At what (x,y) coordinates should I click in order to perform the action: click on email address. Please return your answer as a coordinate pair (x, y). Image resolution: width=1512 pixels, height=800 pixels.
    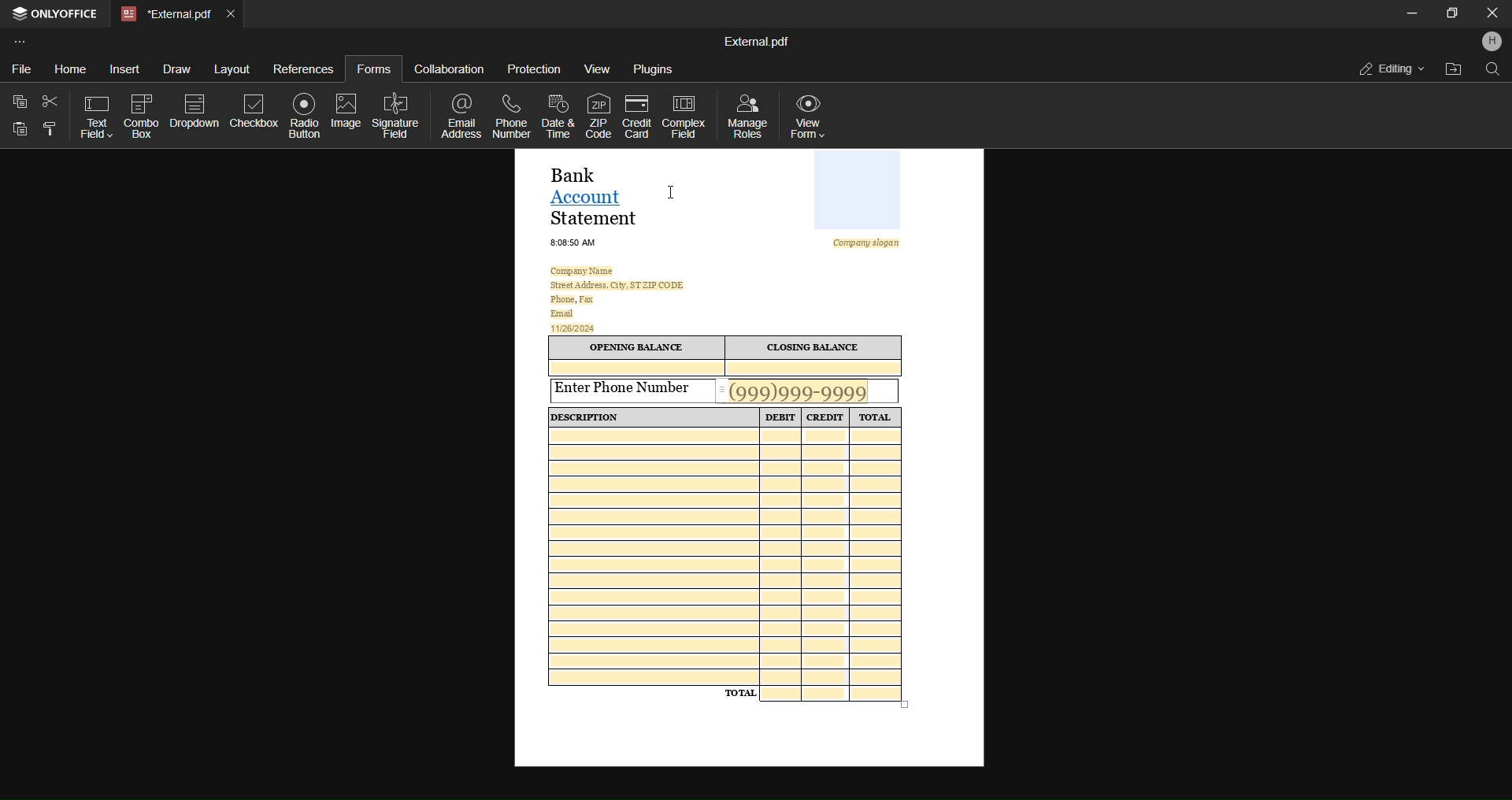
    Looking at the image, I should click on (461, 115).